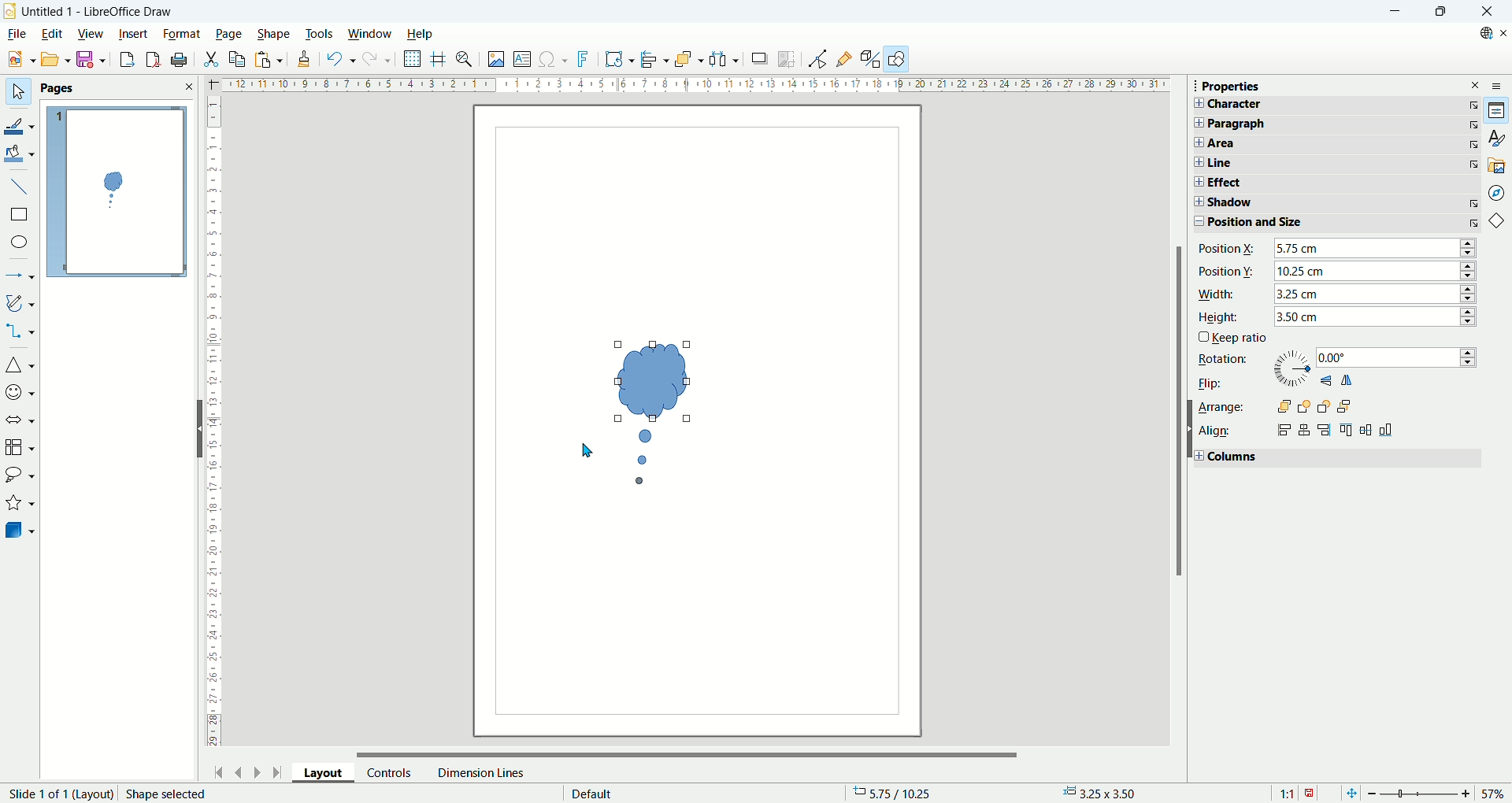 The width and height of the screenshot is (1512, 803). Describe the element at coordinates (1367, 428) in the screenshot. I see `Center` at that location.